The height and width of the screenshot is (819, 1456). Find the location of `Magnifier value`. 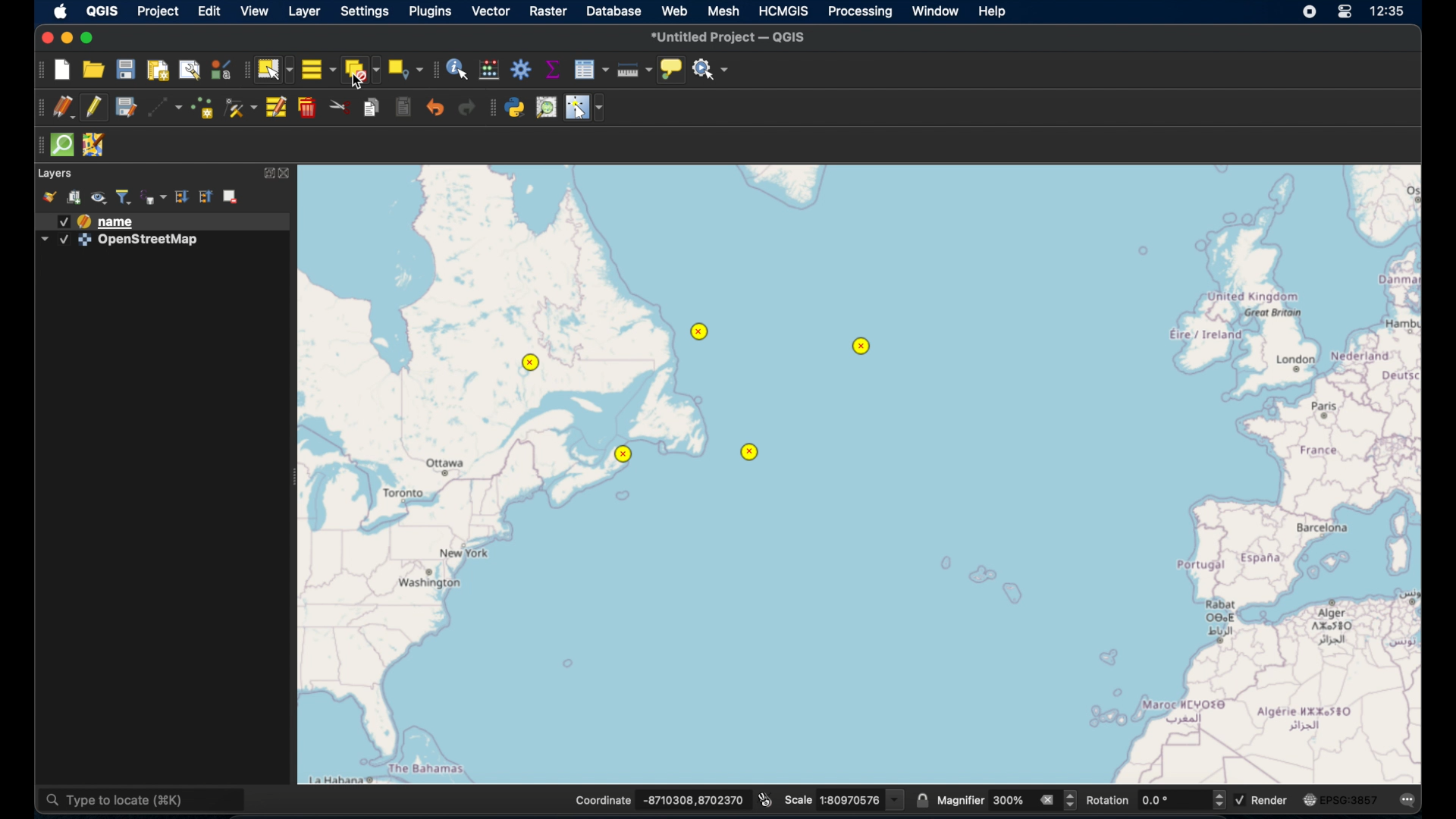

Magnifier value is located at coordinates (1009, 800).